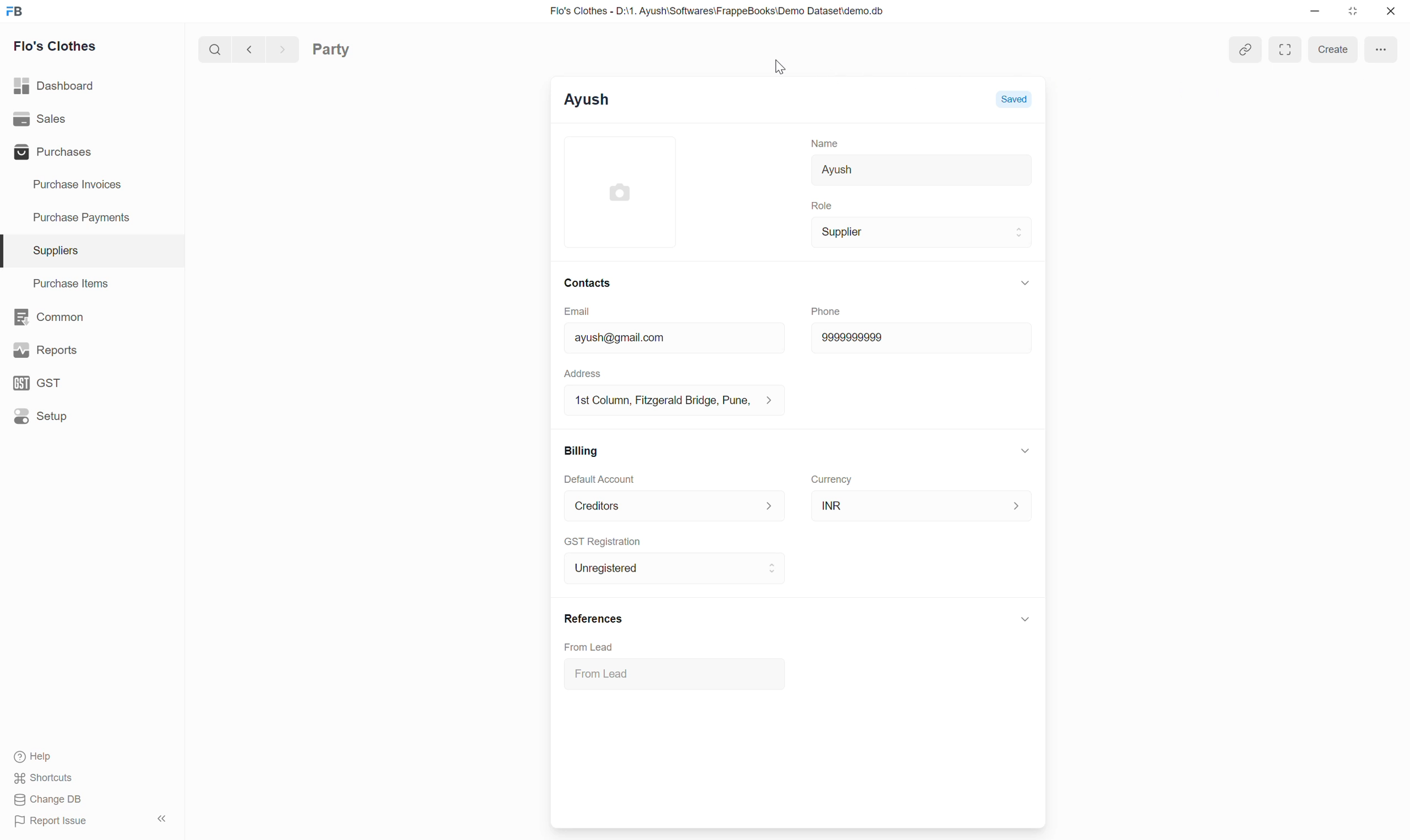  What do you see at coordinates (620, 191) in the screenshot?
I see `Click to add image` at bounding box center [620, 191].